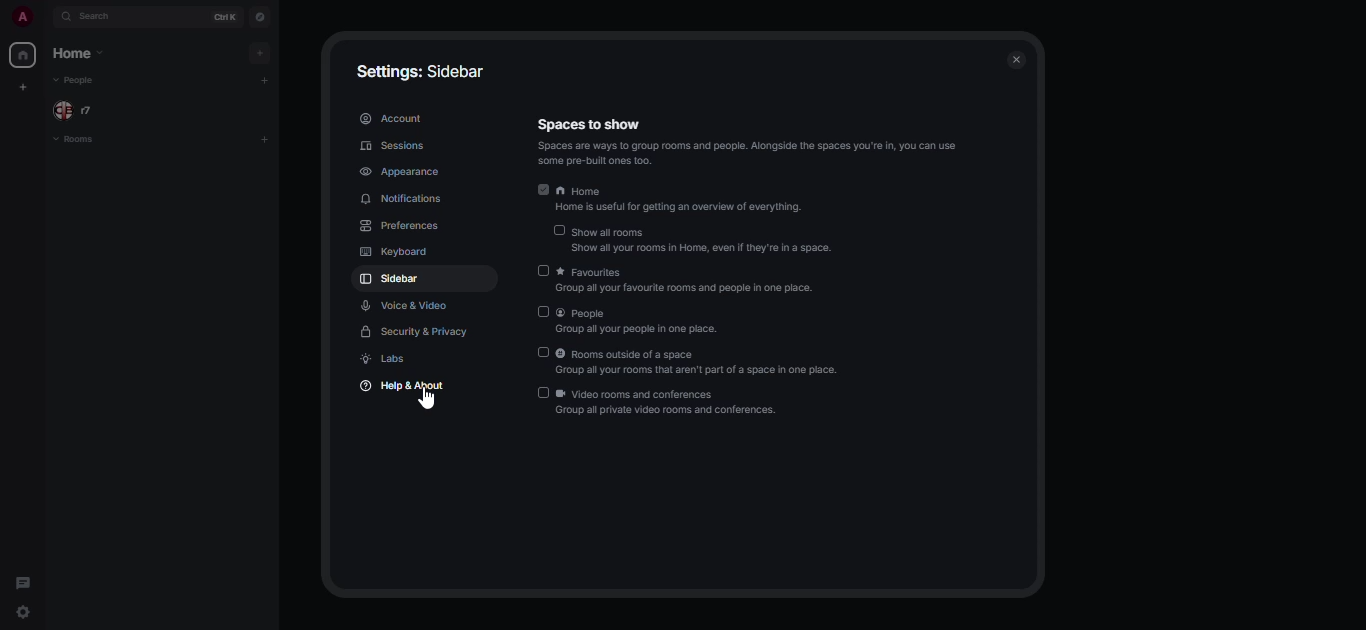 The width and height of the screenshot is (1366, 630). I want to click on disabled, so click(544, 352).